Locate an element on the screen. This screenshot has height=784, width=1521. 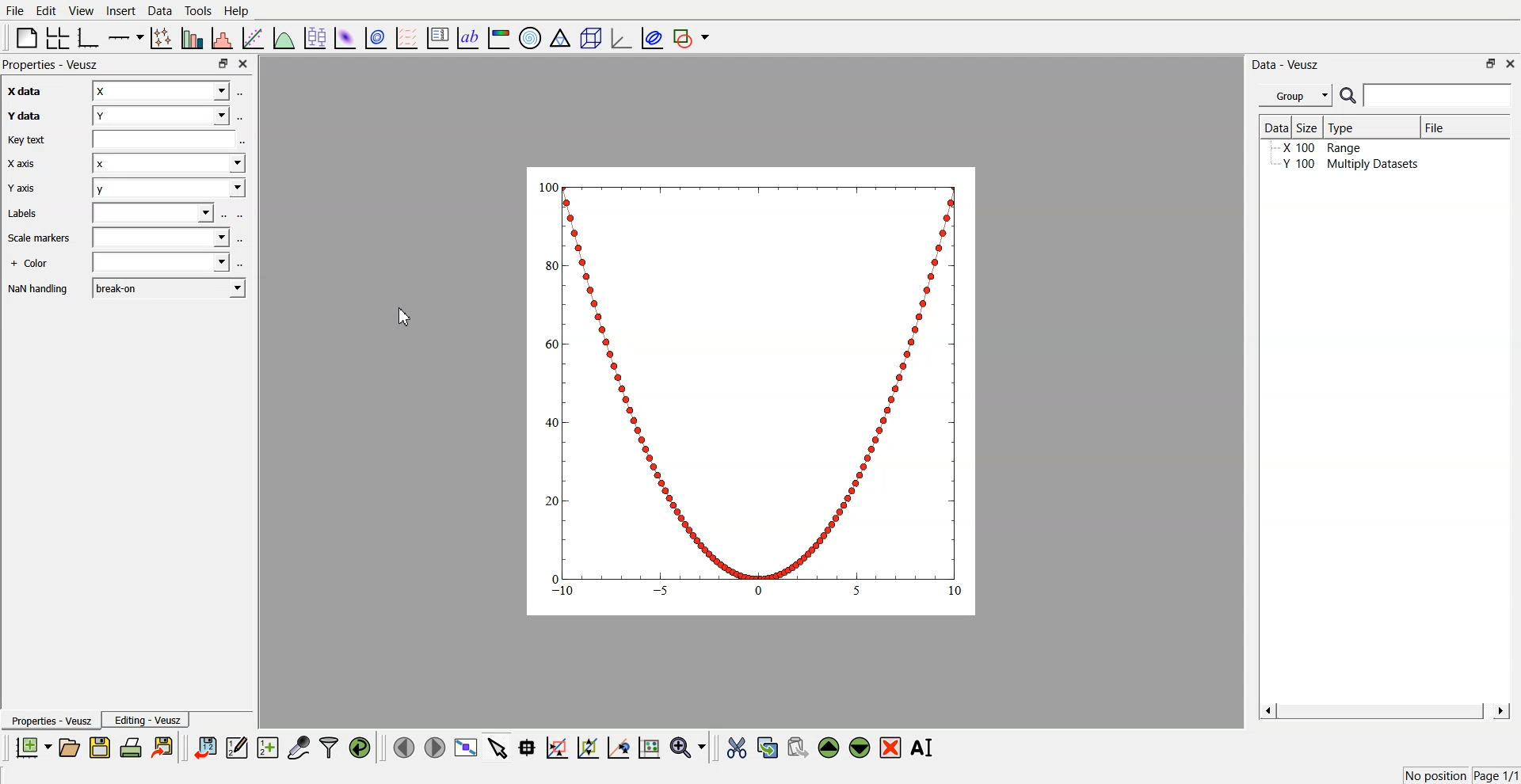
plot points with non-orthogonal axes is located at coordinates (160, 37).